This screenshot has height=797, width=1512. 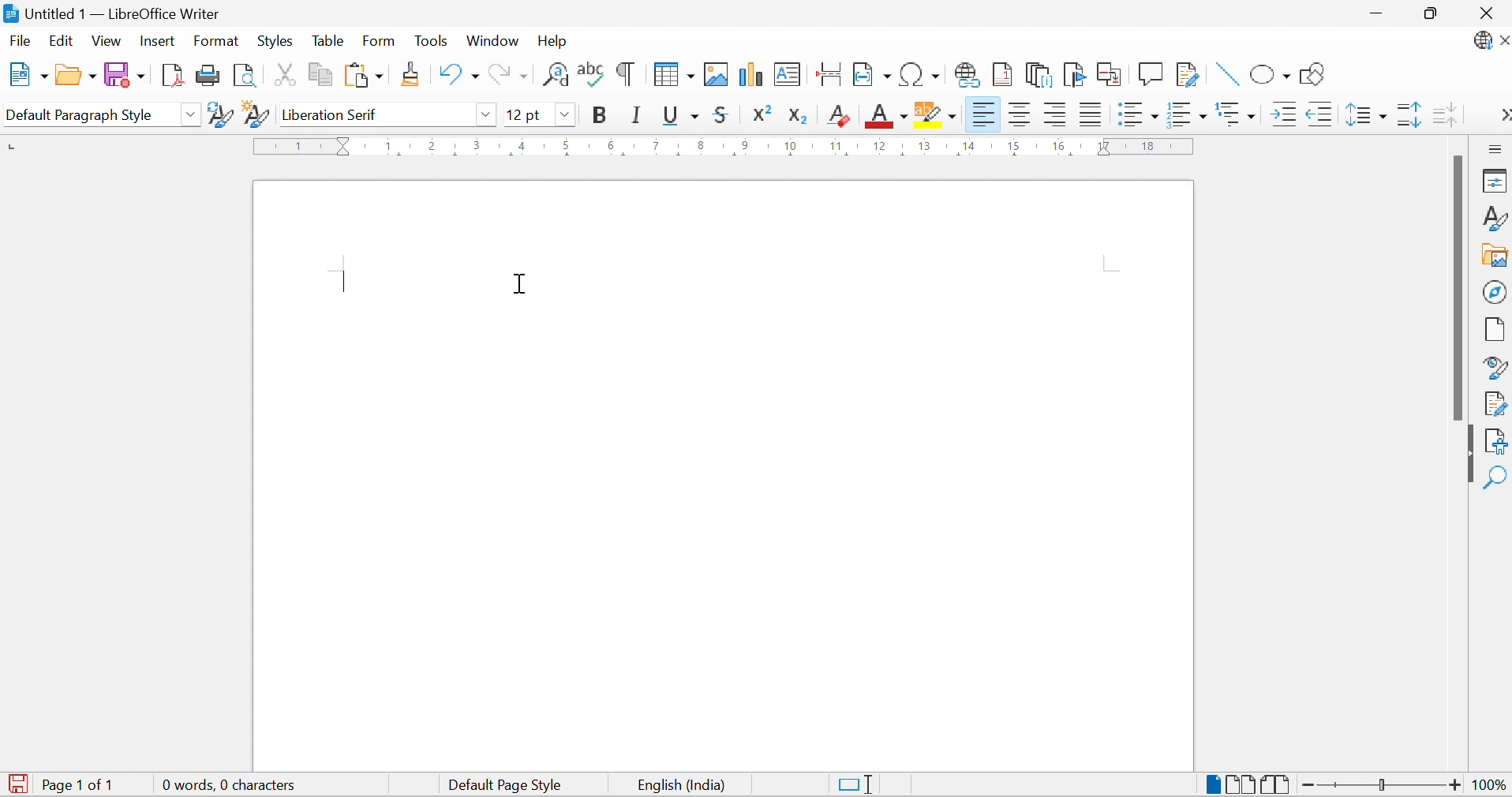 I want to click on 1, so click(x=389, y=144).